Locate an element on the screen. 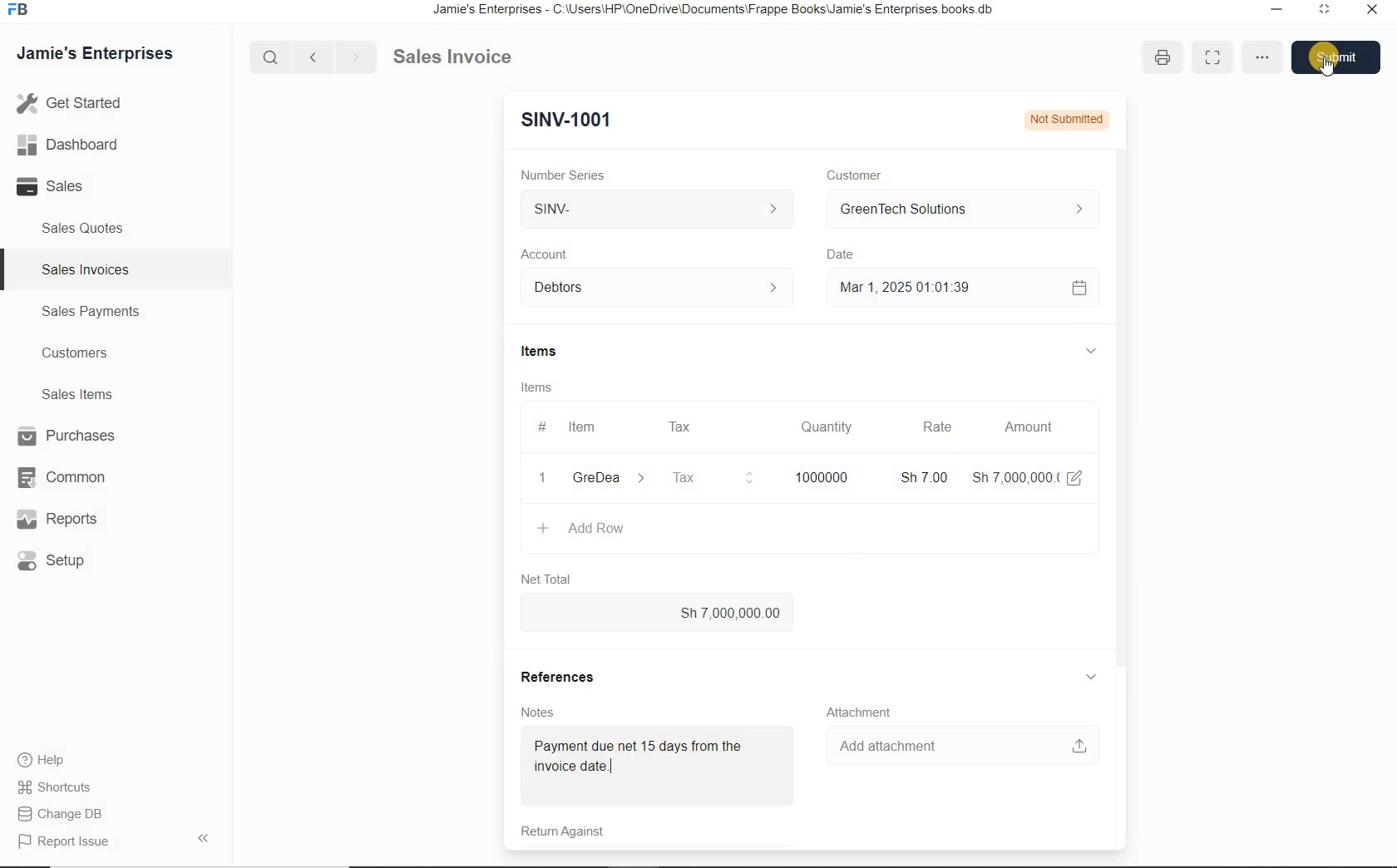  Sales Invoices is located at coordinates (83, 269).